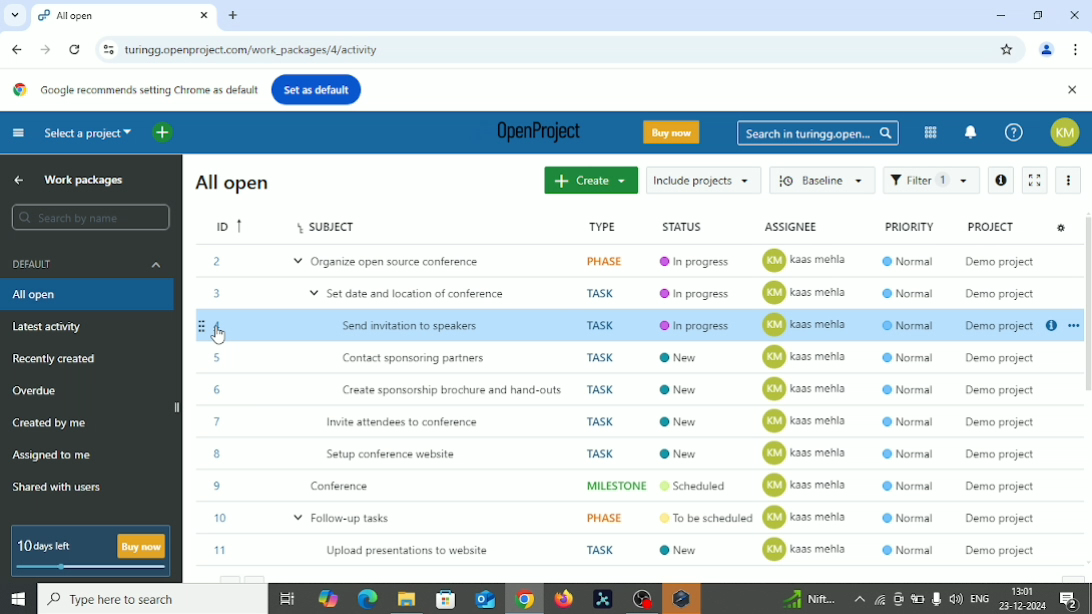 This screenshot has width=1092, height=614. Describe the element at coordinates (133, 90) in the screenshot. I see `Google recommends setting Chrome as default` at that location.